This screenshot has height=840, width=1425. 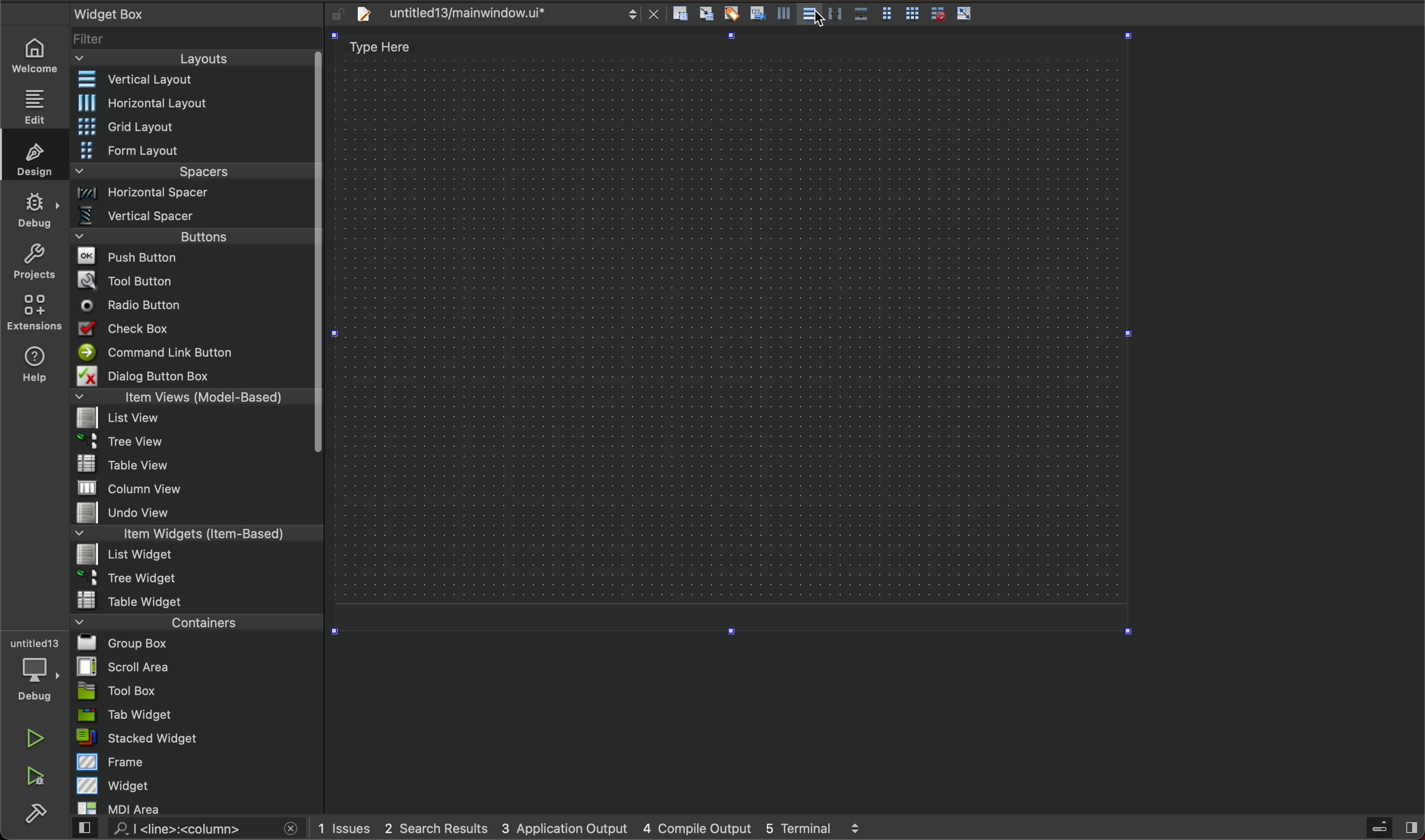 I want to click on dialog button, so click(x=194, y=375).